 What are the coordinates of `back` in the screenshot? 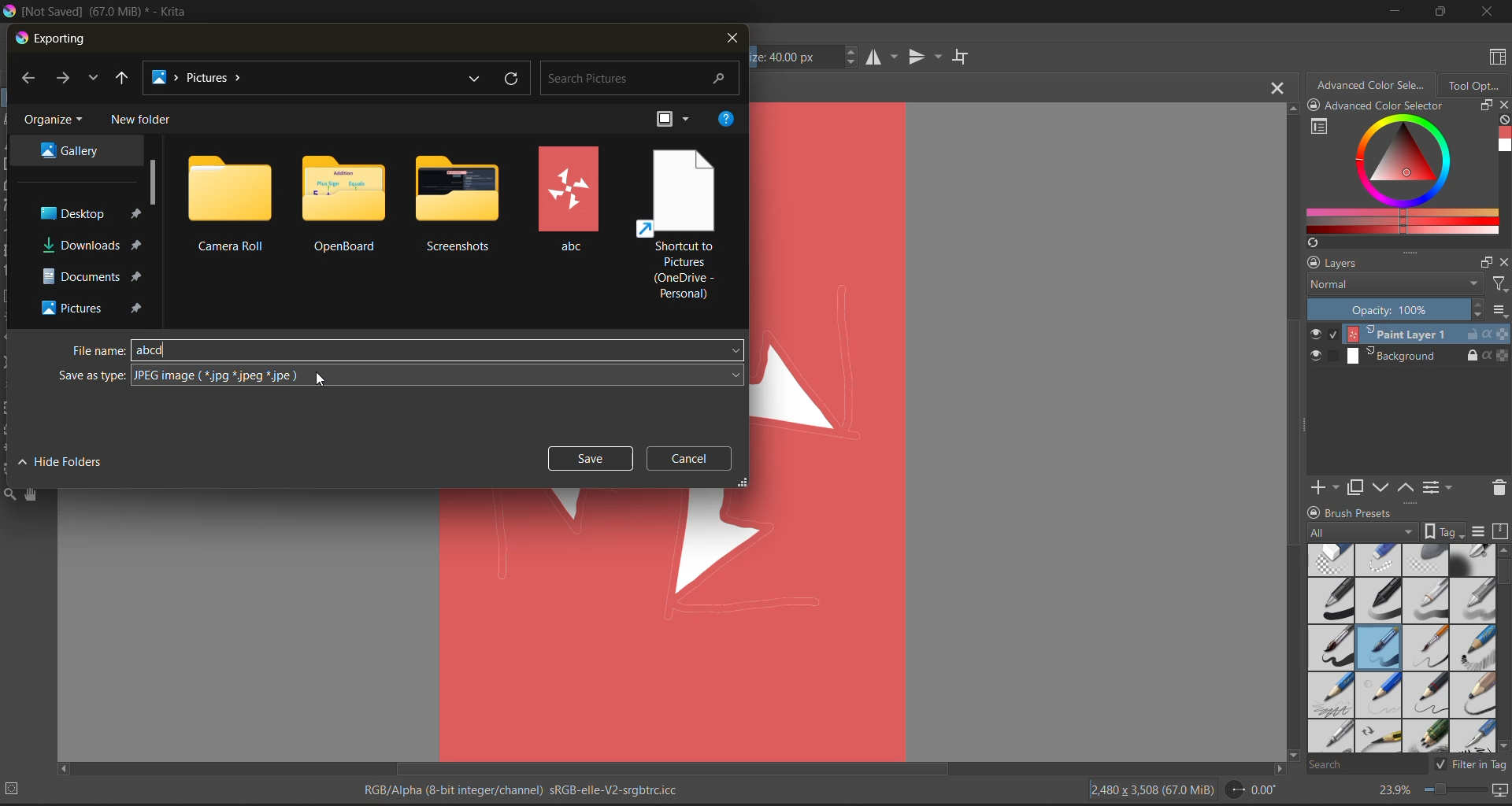 It's located at (30, 78).